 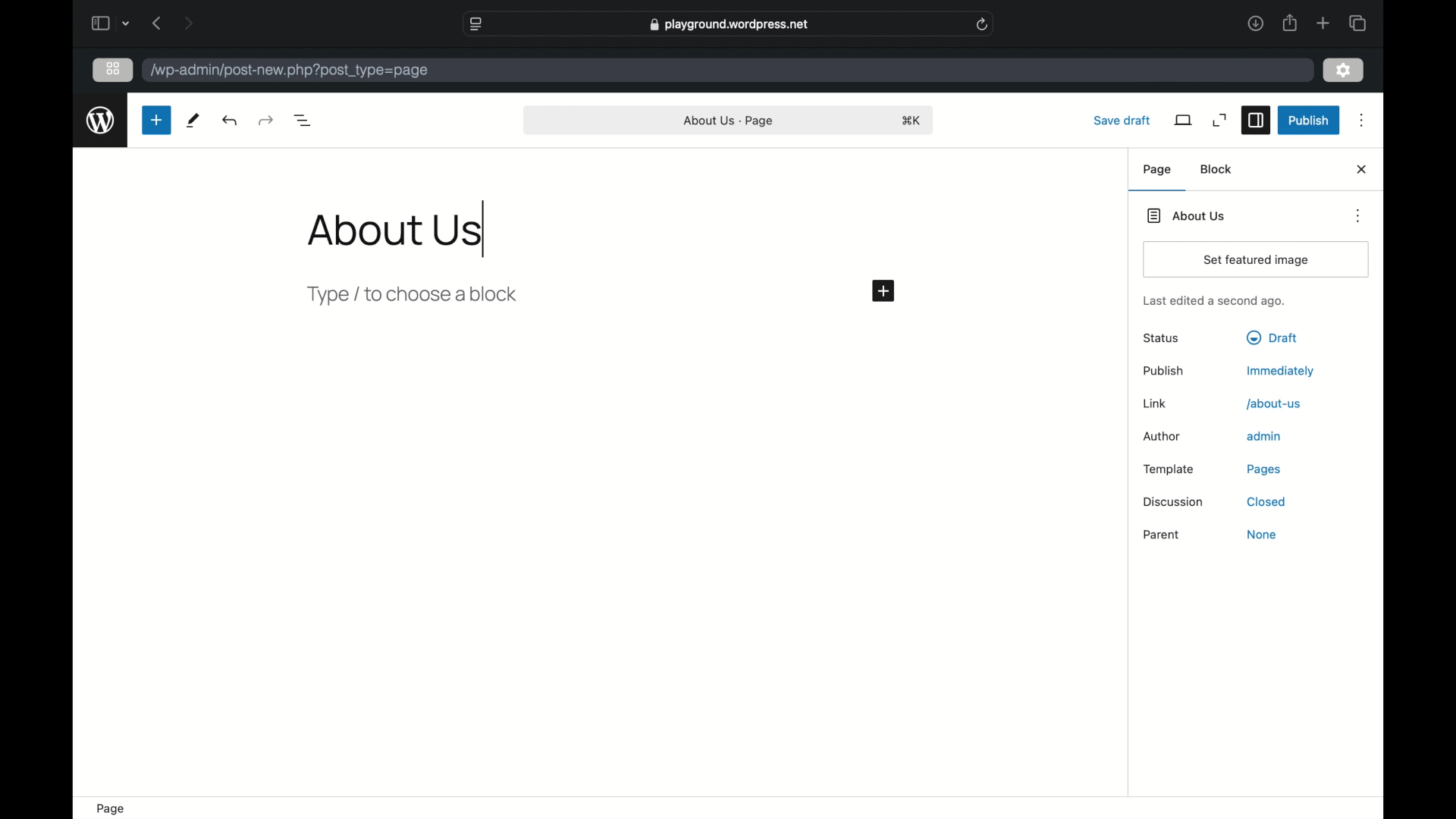 I want to click on template, so click(x=1169, y=469).